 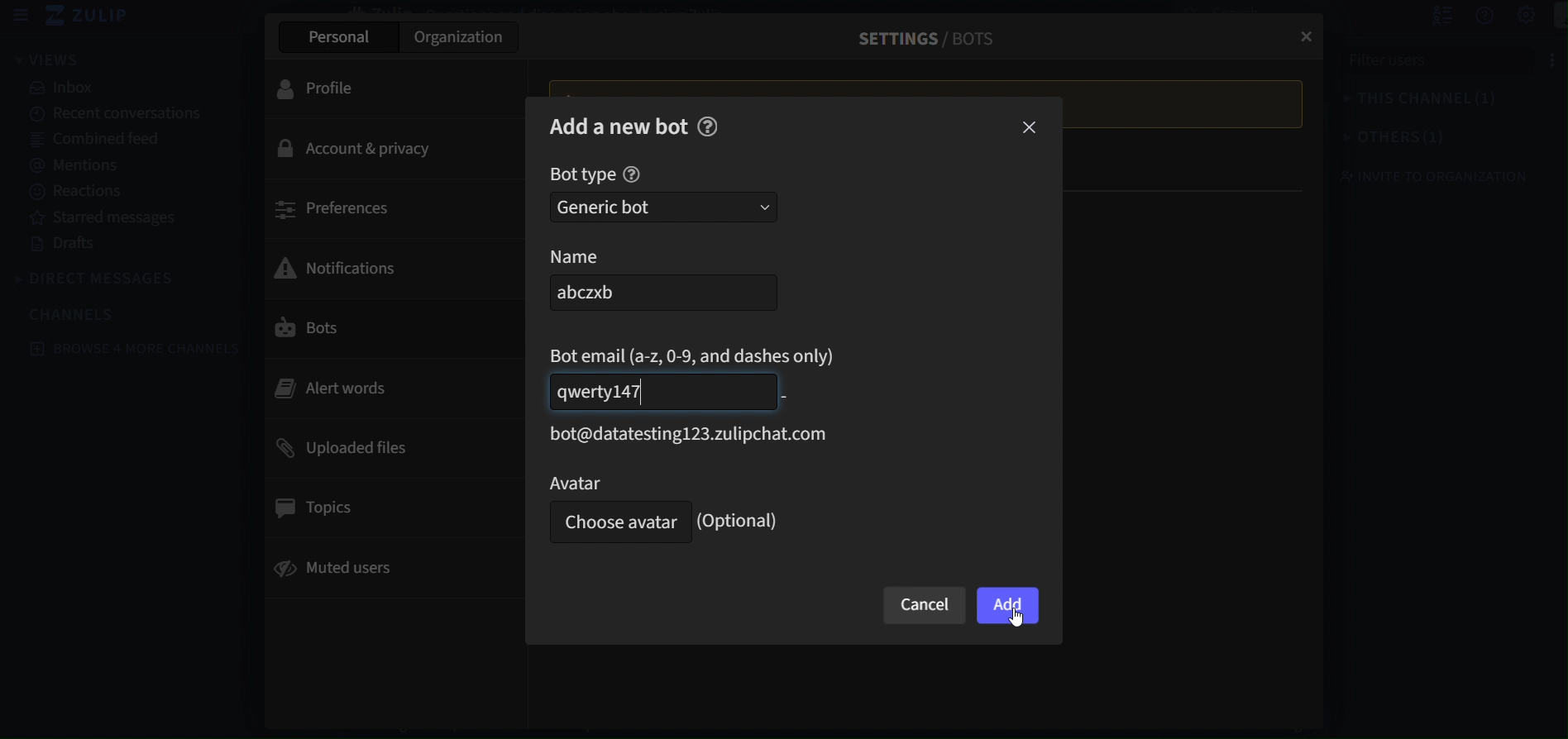 What do you see at coordinates (380, 329) in the screenshot?
I see `bots` at bounding box center [380, 329].